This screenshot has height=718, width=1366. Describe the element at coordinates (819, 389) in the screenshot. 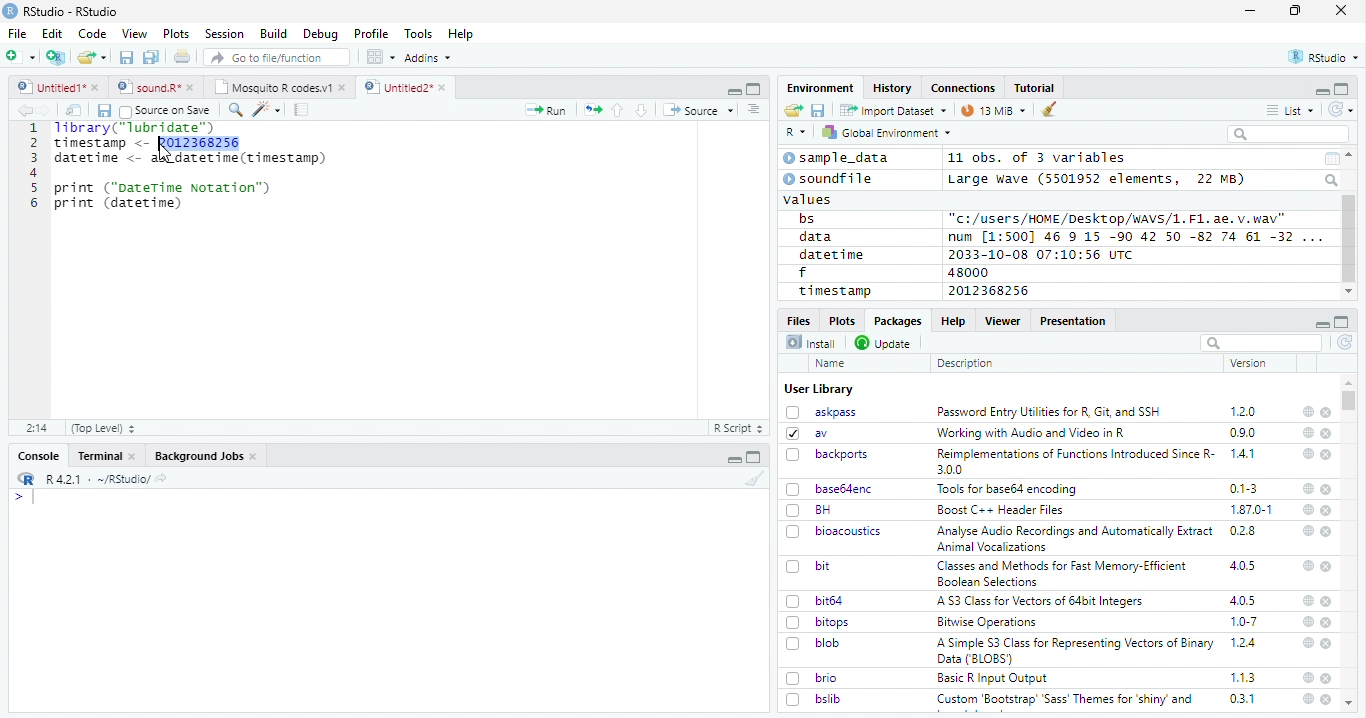

I see `User Library` at that location.